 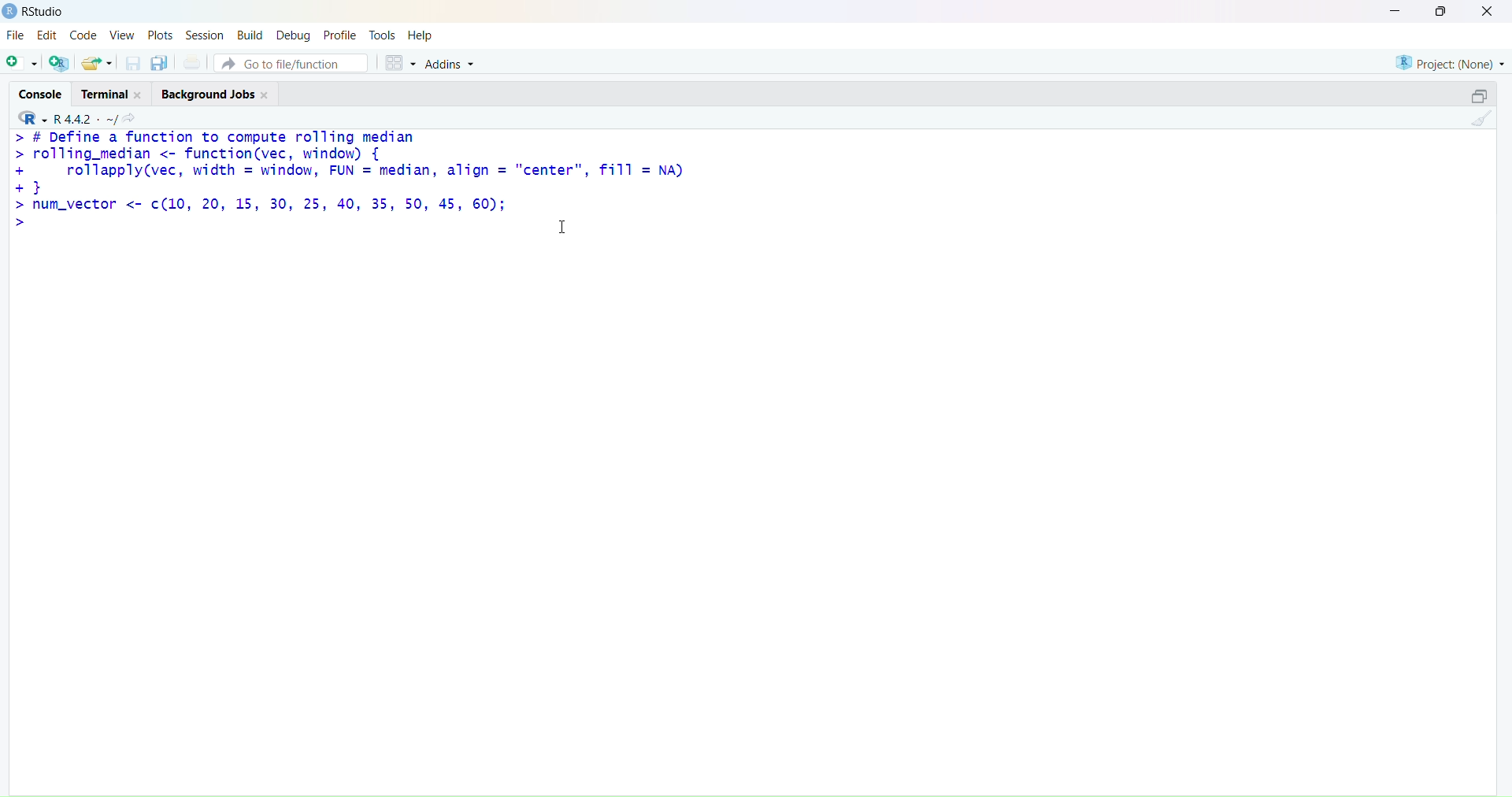 What do you see at coordinates (130, 117) in the screenshot?
I see `search icon` at bounding box center [130, 117].